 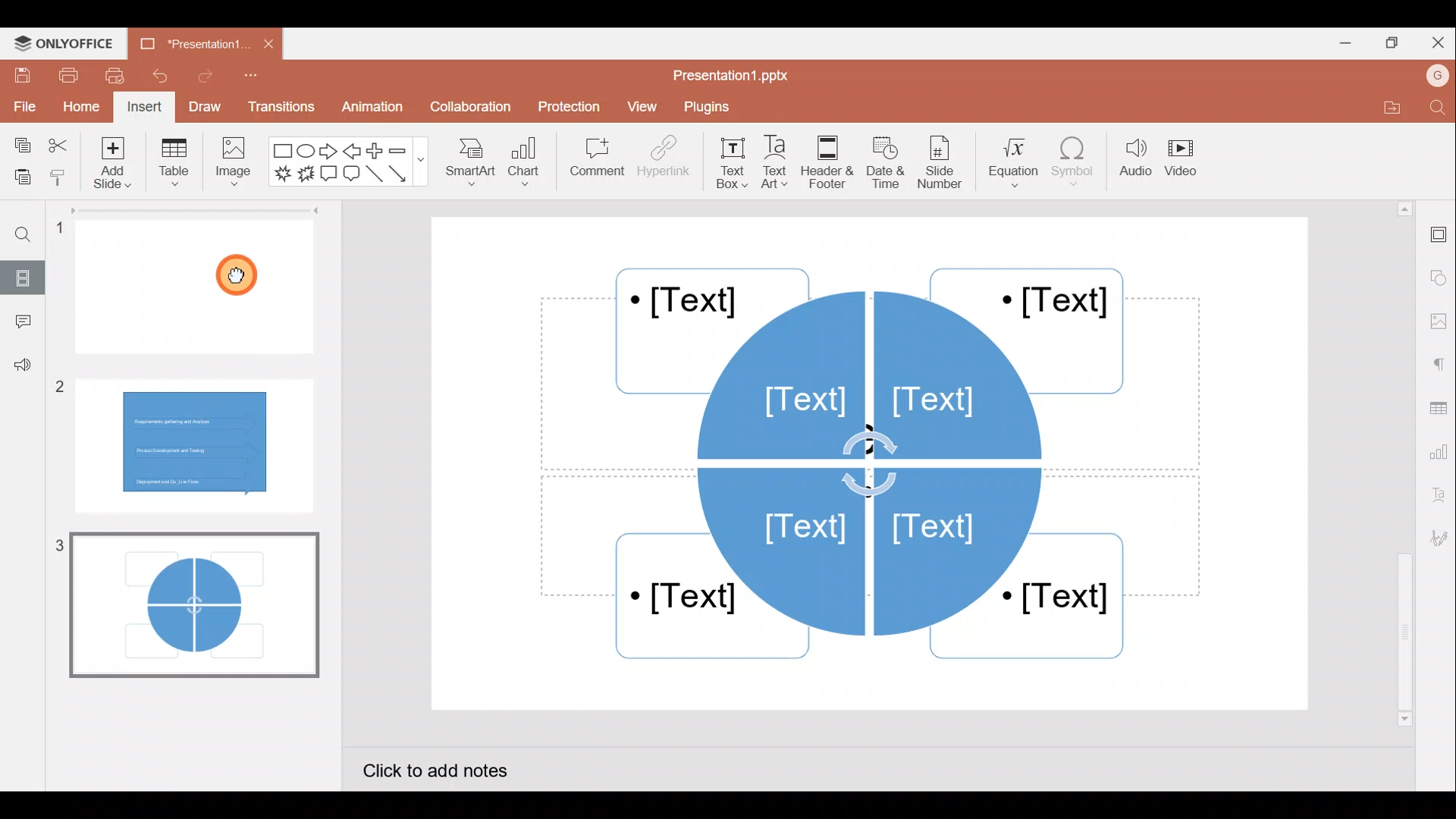 What do you see at coordinates (144, 106) in the screenshot?
I see `Insert` at bounding box center [144, 106].